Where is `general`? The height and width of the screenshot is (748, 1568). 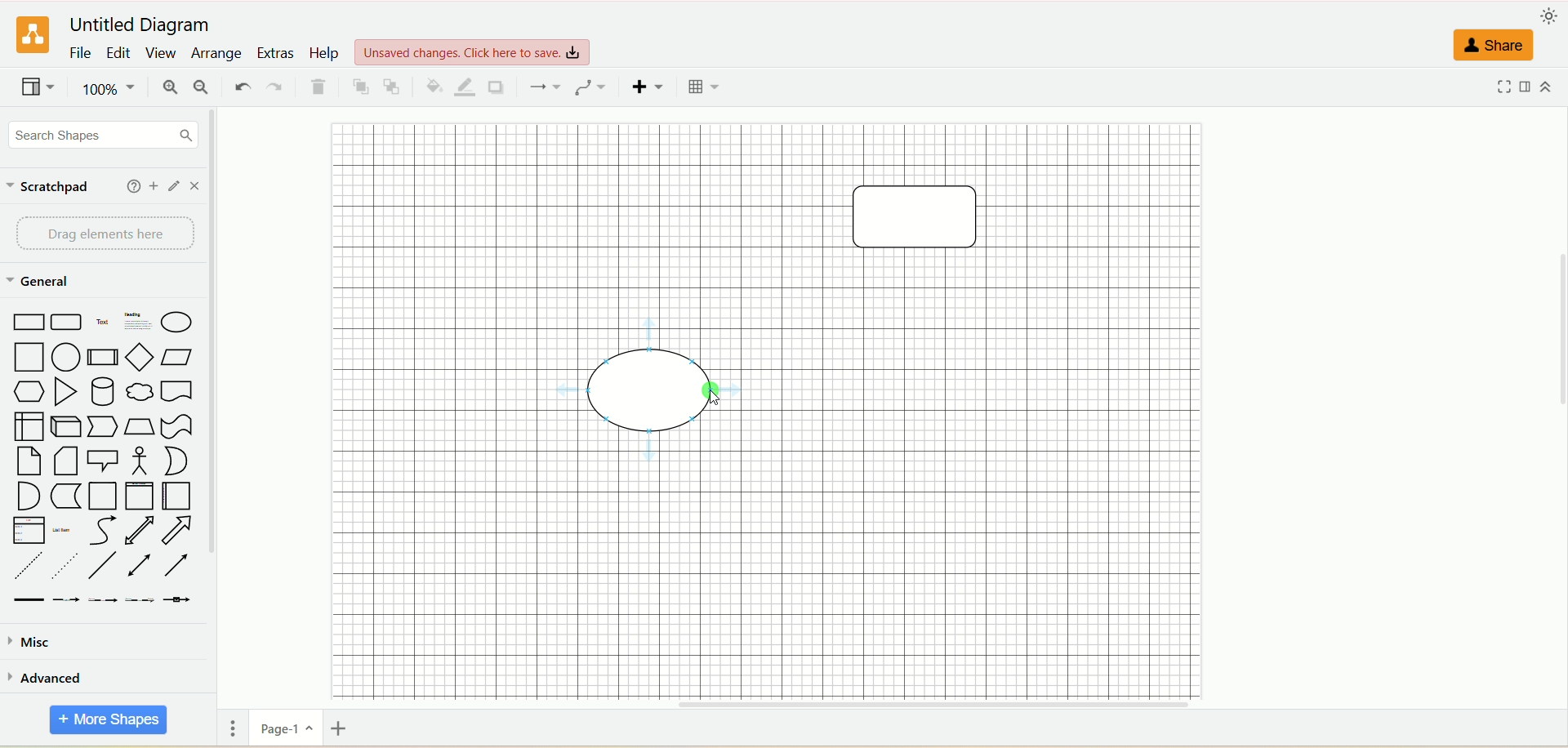 general is located at coordinates (40, 283).